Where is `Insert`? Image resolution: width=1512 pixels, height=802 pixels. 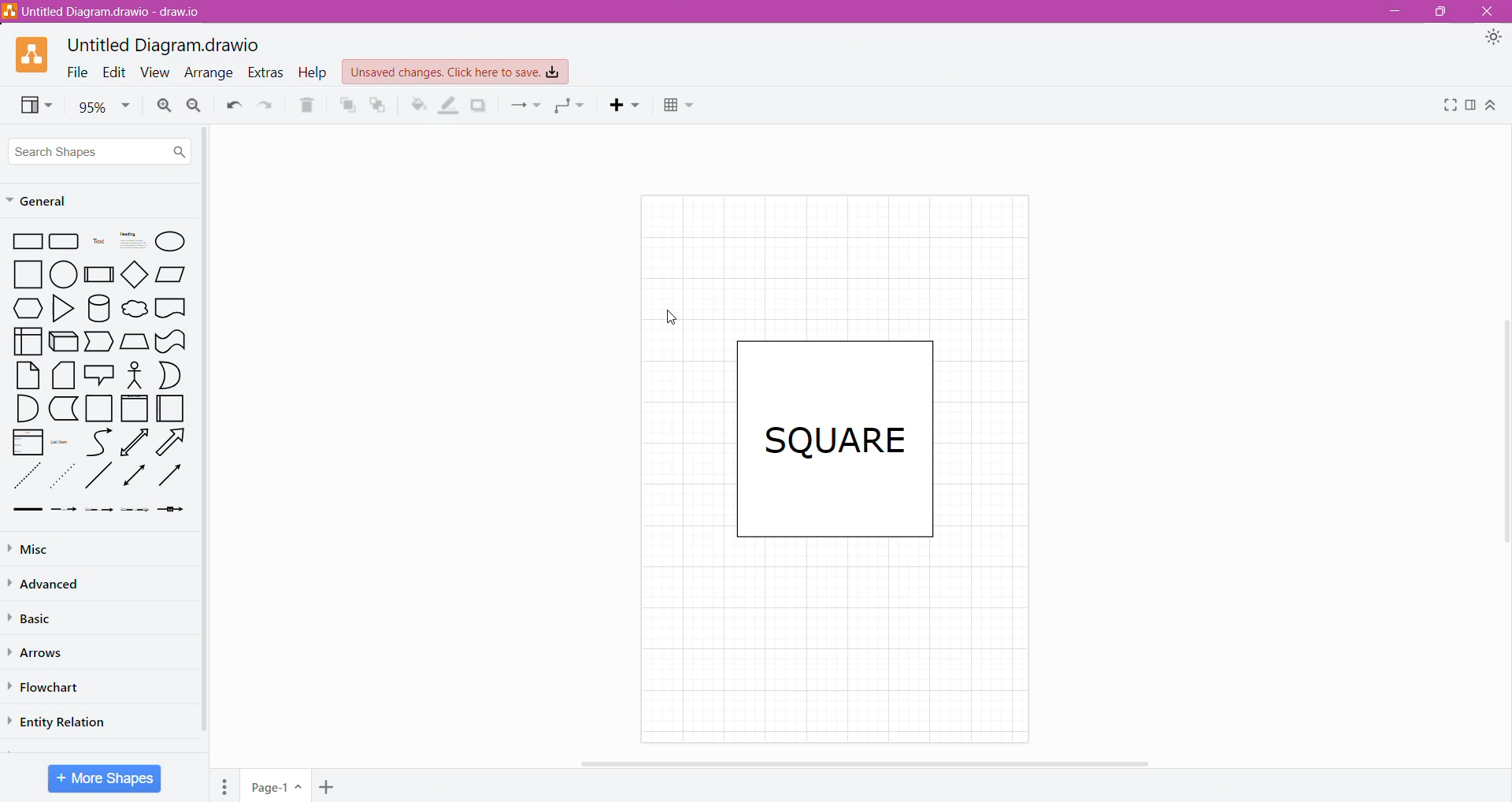
Insert is located at coordinates (625, 107).